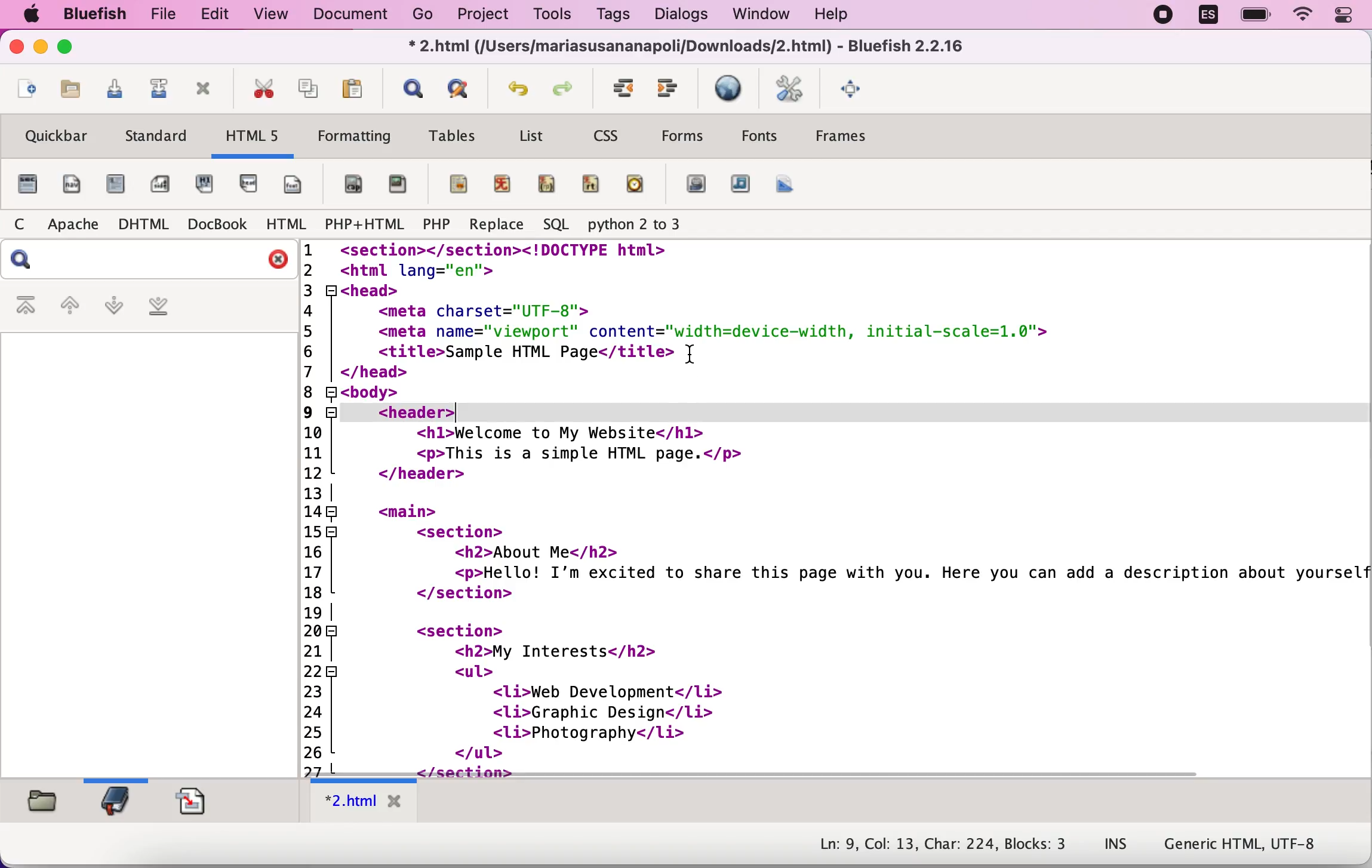 The height and width of the screenshot is (868, 1372). Describe the element at coordinates (216, 226) in the screenshot. I see `docbook` at that location.